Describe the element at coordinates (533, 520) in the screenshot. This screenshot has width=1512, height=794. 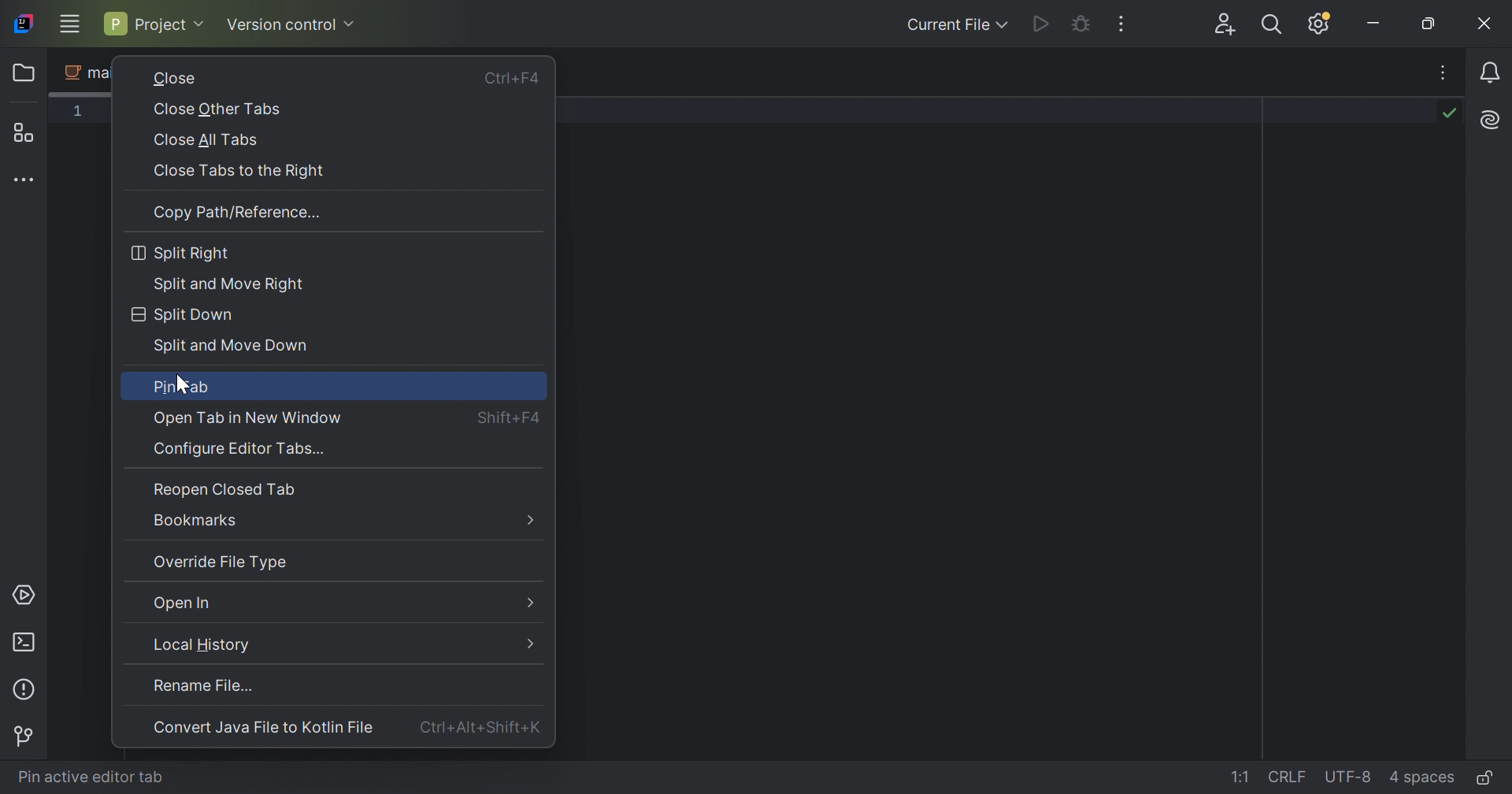
I see `more` at that location.